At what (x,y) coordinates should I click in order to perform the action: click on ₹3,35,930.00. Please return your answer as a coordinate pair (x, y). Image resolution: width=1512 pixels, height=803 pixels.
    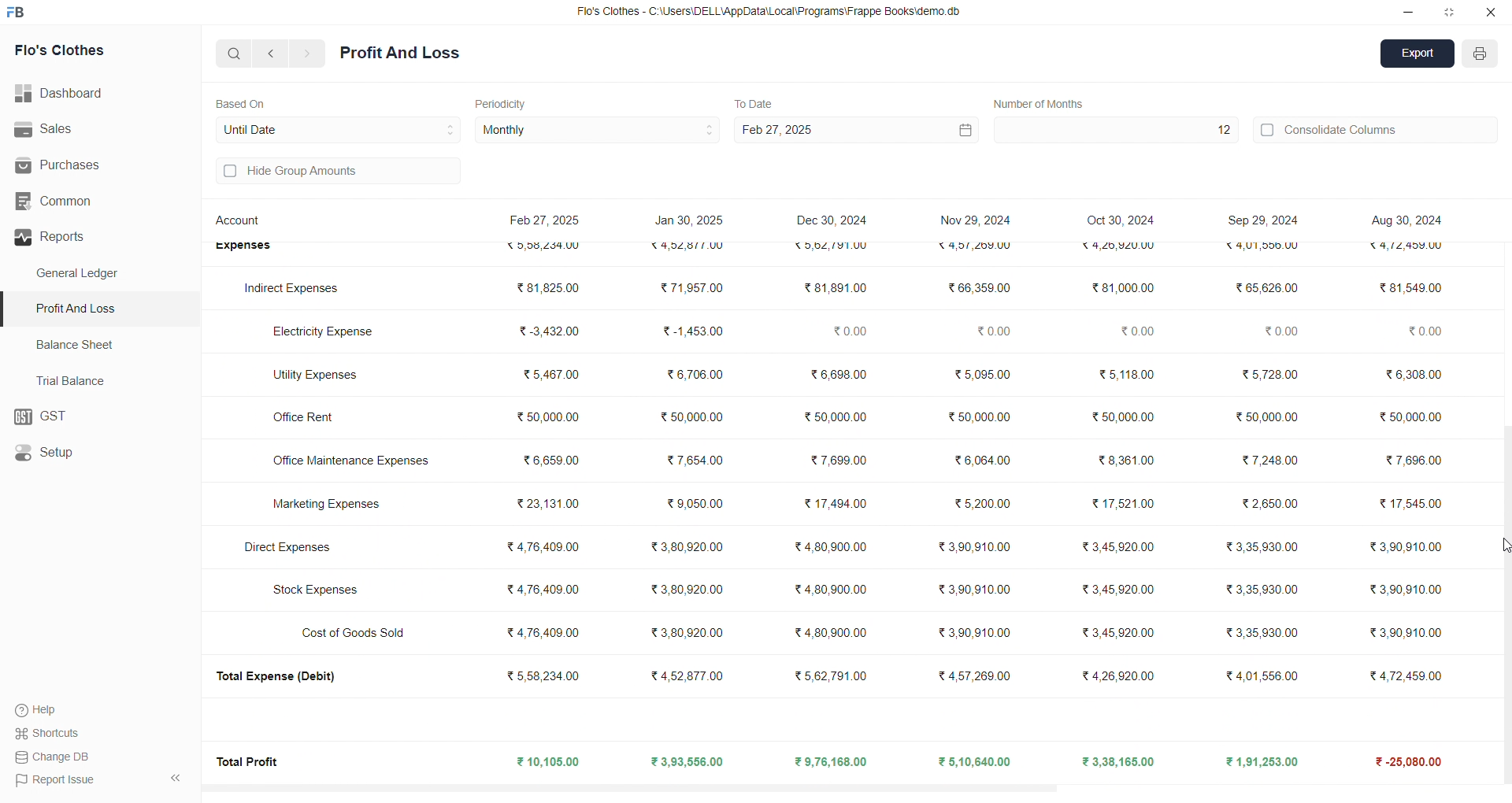
    Looking at the image, I should click on (1255, 546).